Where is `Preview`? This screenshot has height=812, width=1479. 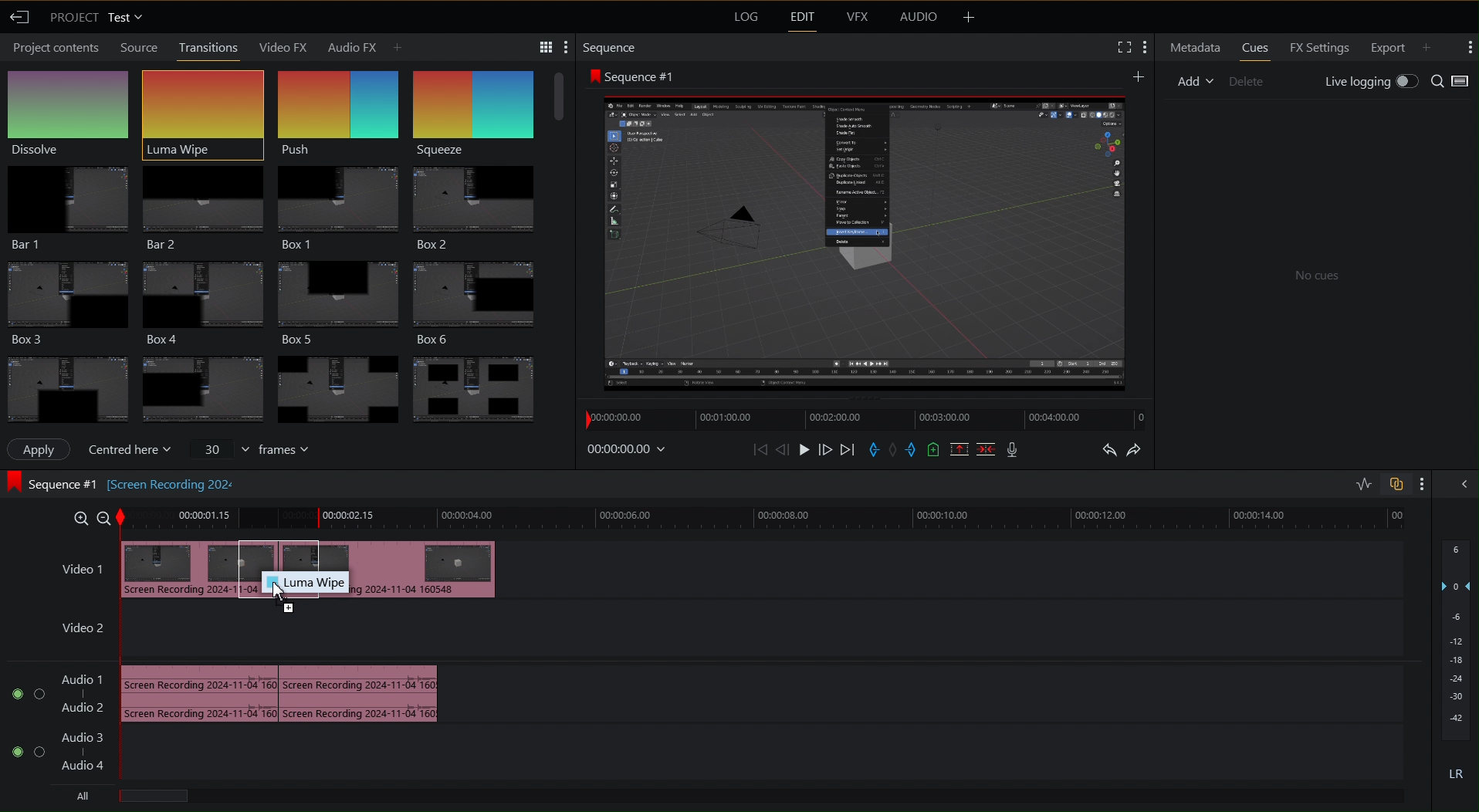 Preview is located at coordinates (865, 241).